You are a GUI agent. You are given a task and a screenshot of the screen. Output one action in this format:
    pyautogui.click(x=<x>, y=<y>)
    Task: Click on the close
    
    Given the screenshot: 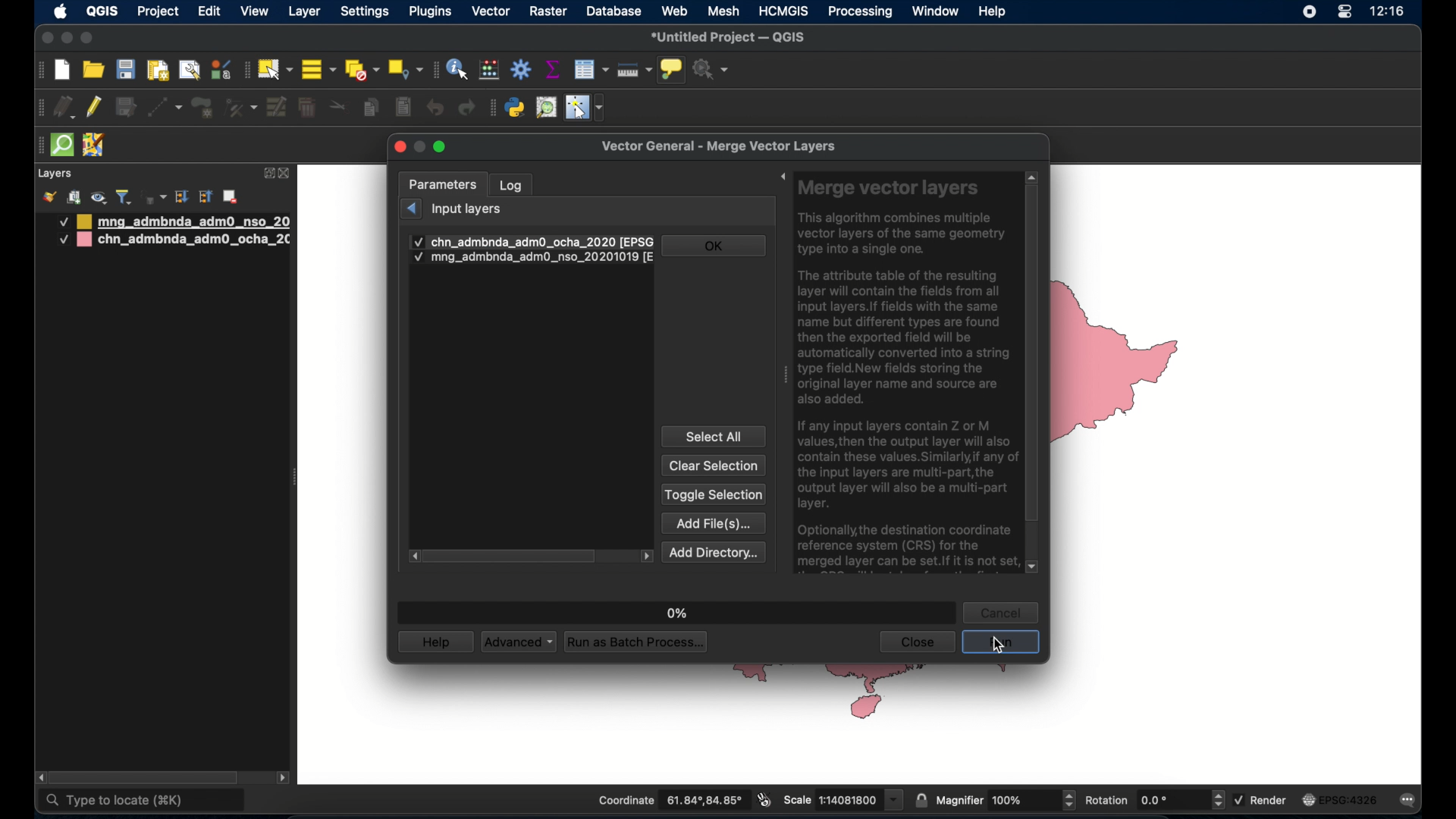 What is the action you would take?
    pyautogui.click(x=45, y=39)
    